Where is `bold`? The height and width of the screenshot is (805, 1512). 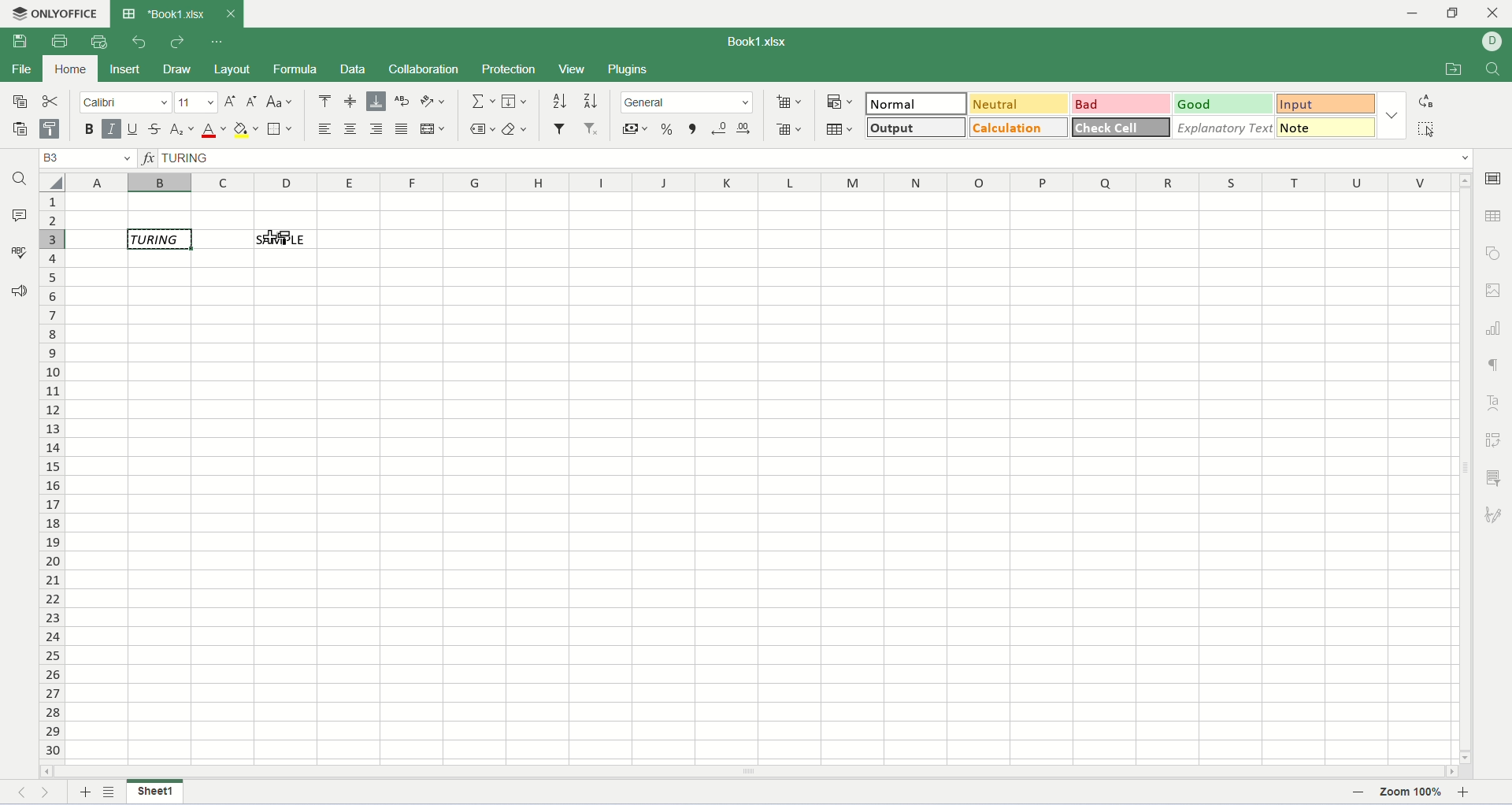 bold is located at coordinates (90, 130).